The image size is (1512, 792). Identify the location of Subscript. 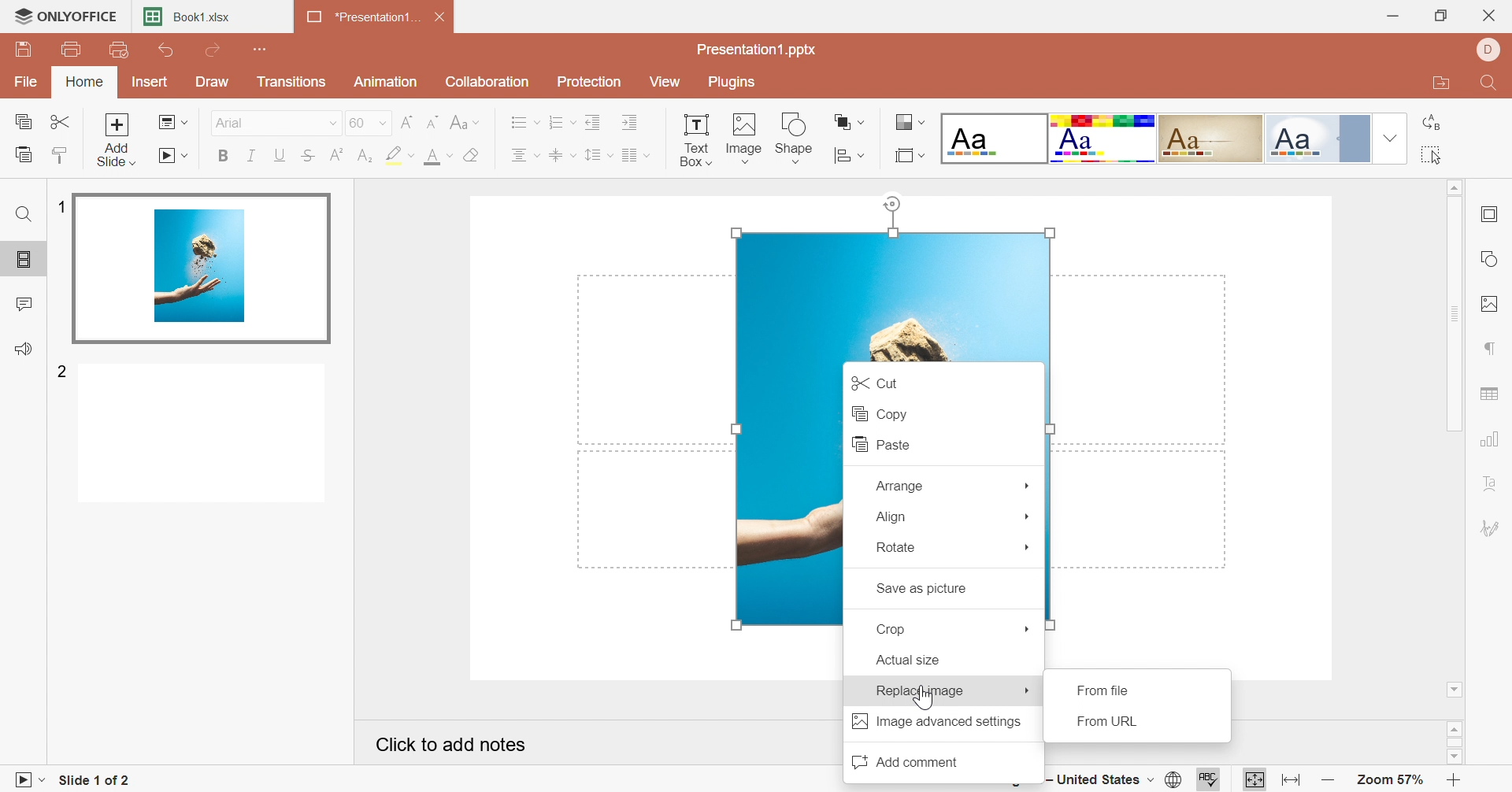
(365, 156).